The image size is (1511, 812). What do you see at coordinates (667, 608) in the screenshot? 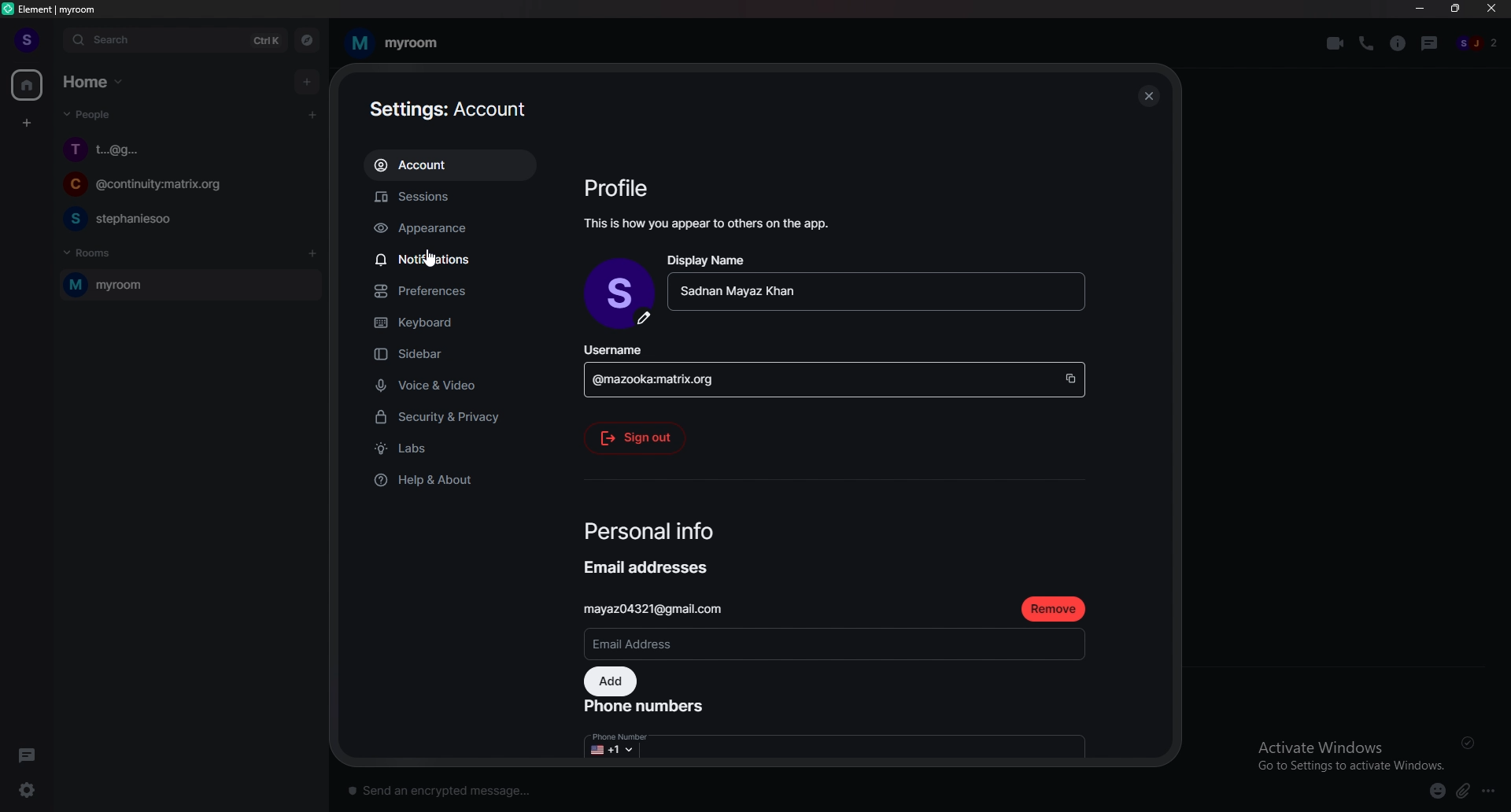
I see `email` at bounding box center [667, 608].